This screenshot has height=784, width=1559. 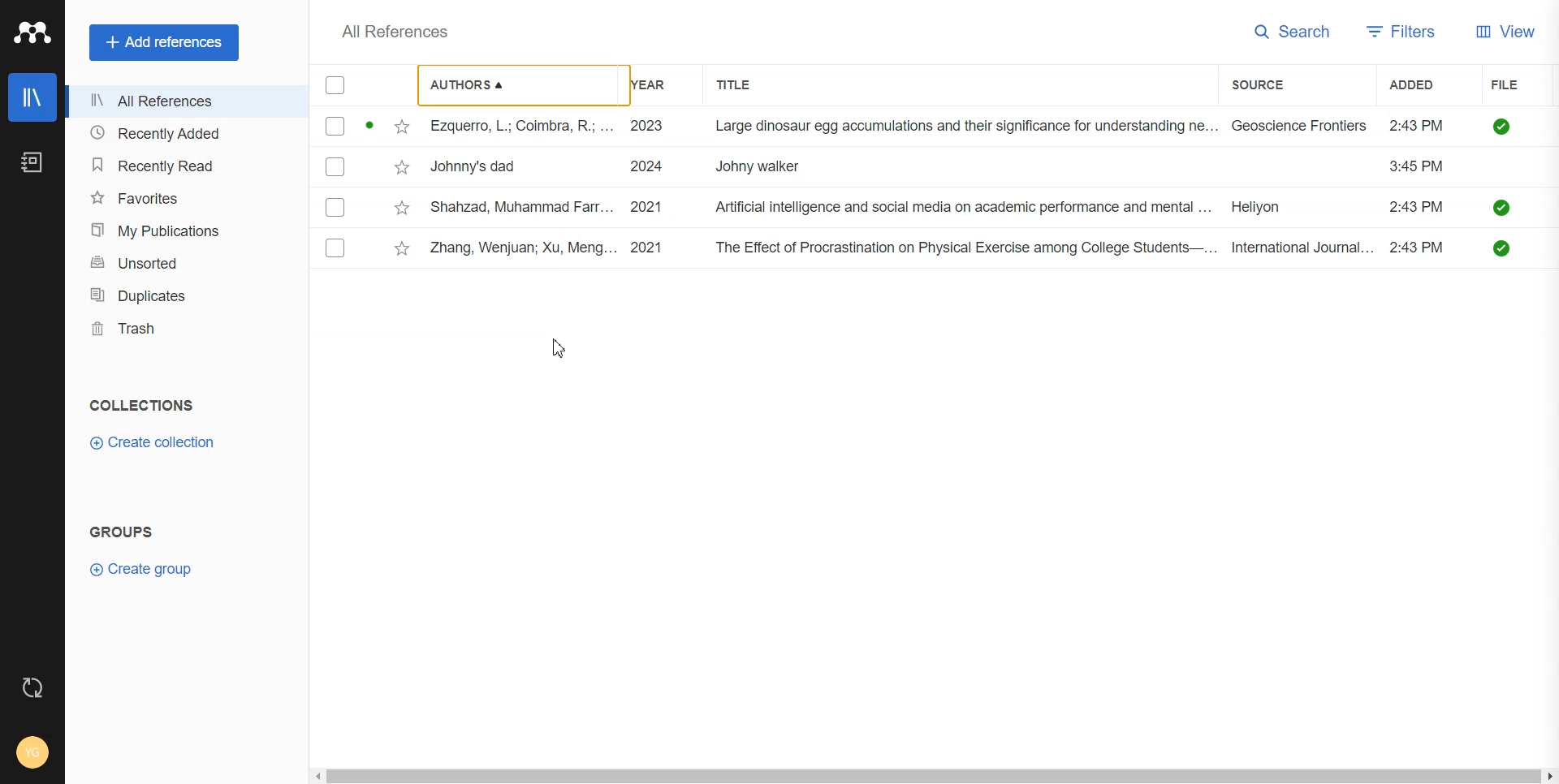 I want to click on year, so click(x=653, y=85).